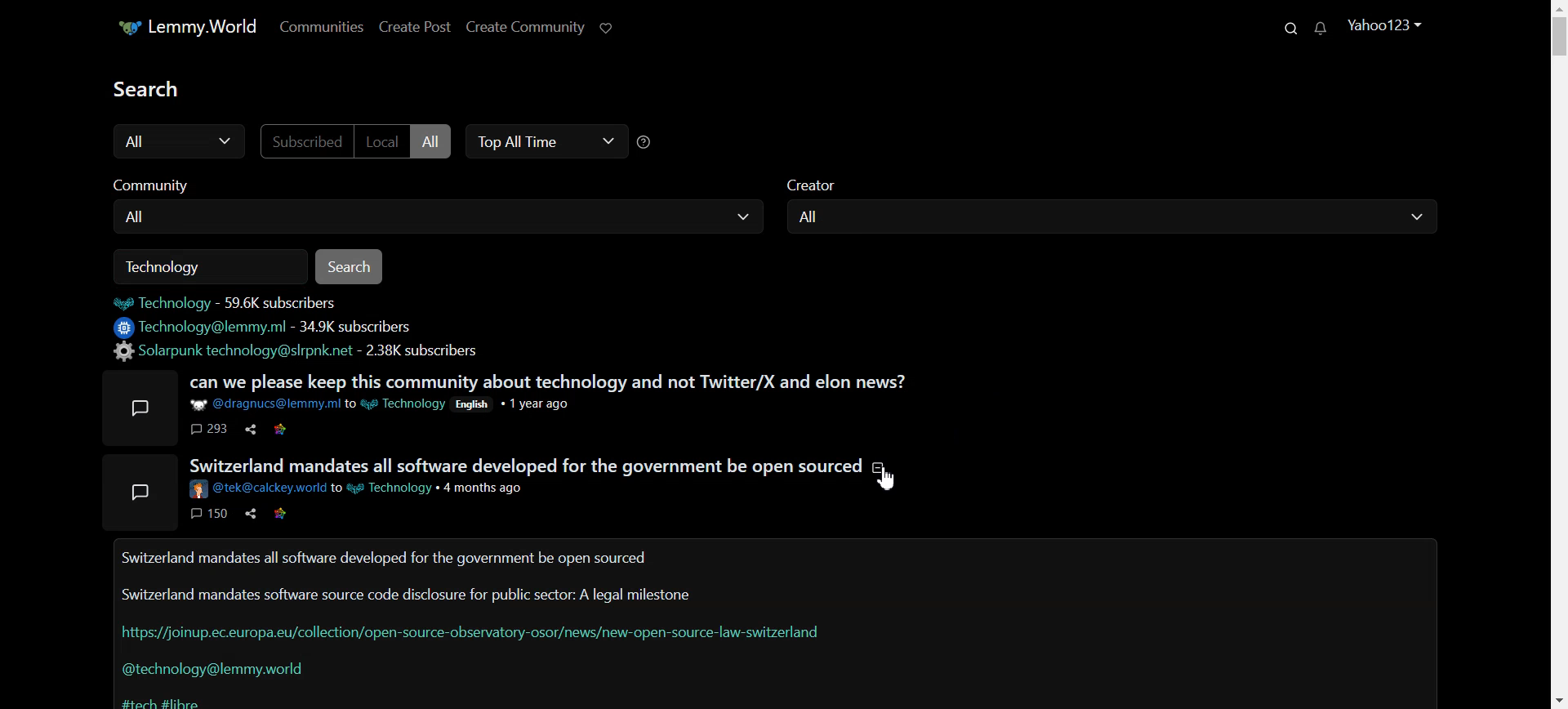 The width and height of the screenshot is (1568, 709). I want to click on All, so click(445, 216).